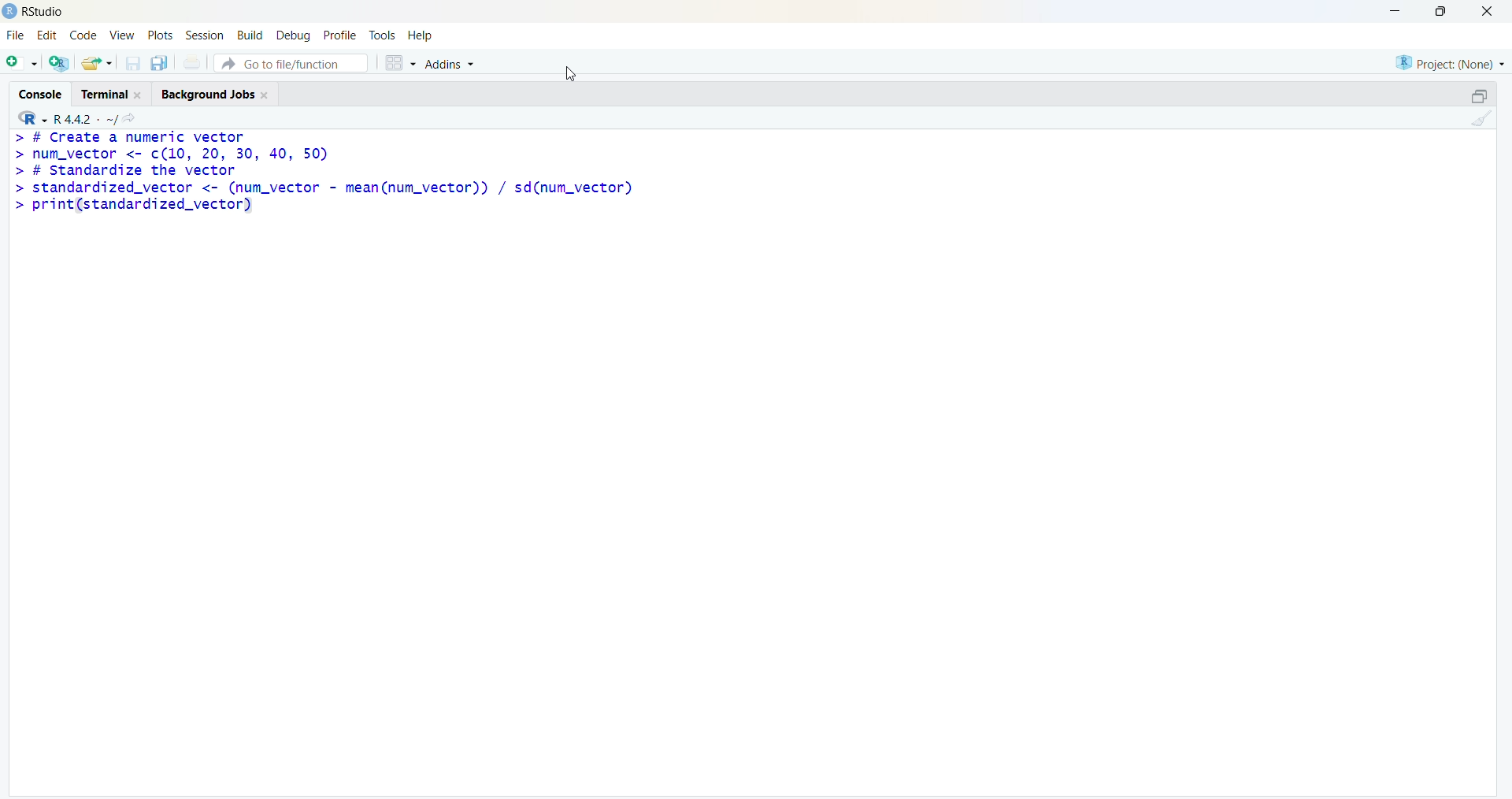 This screenshot has height=799, width=1512. I want to click on project (none), so click(1450, 64).